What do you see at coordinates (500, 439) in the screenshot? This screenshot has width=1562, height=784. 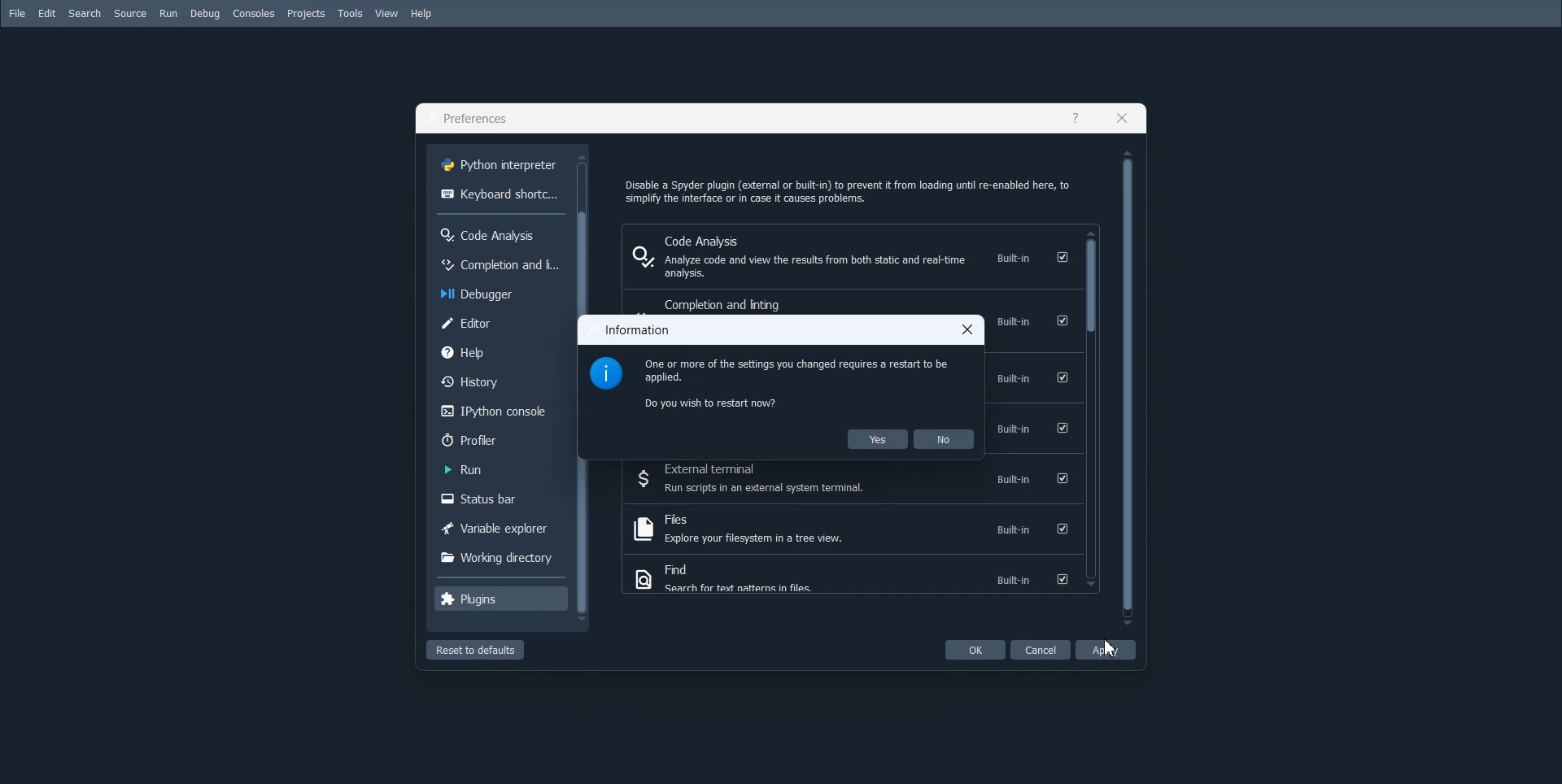 I see `Profiler` at bounding box center [500, 439].